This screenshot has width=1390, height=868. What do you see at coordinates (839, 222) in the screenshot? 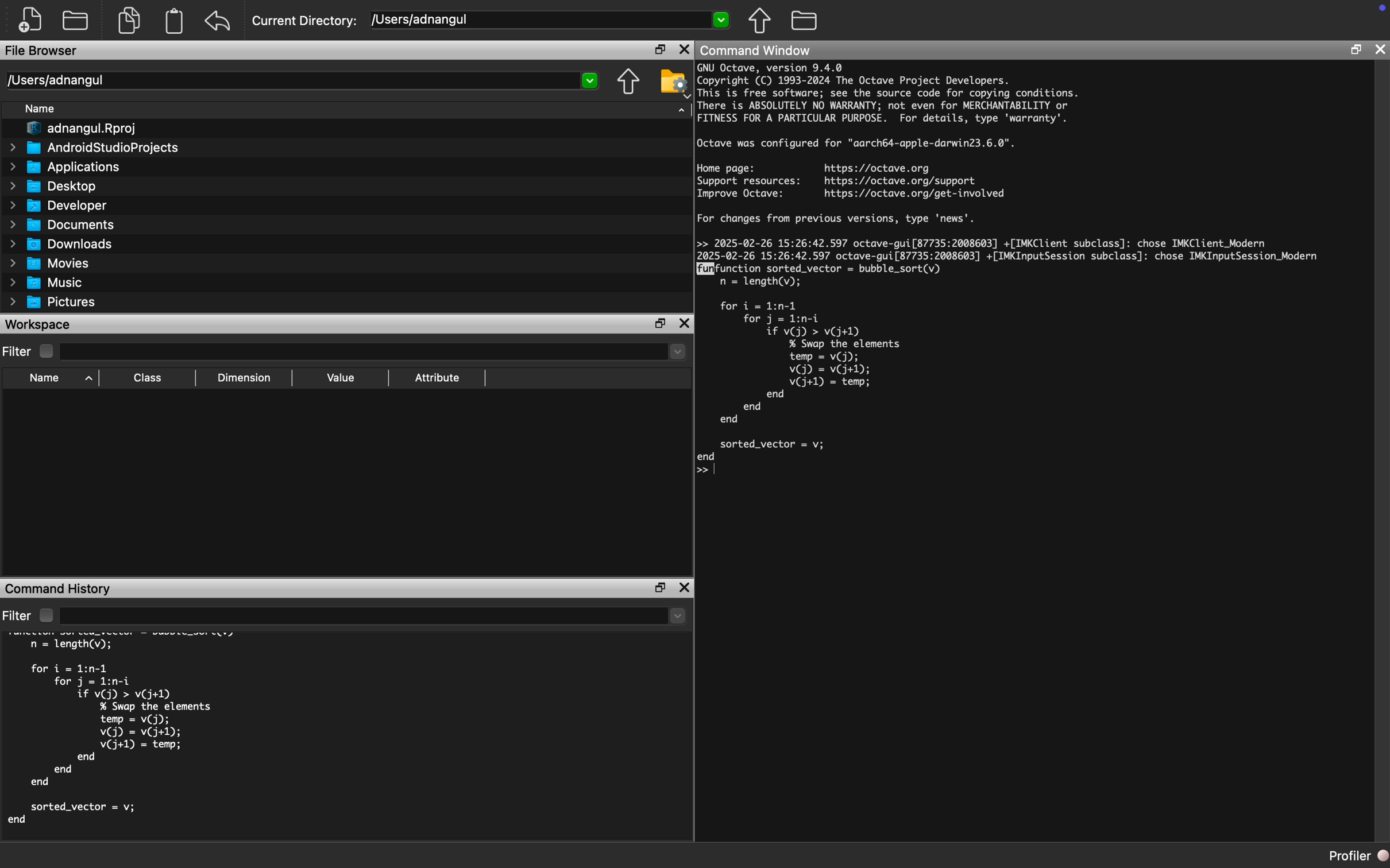
I see `For changes from previous versions, type 'news'.` at bounding box center [839, 222].